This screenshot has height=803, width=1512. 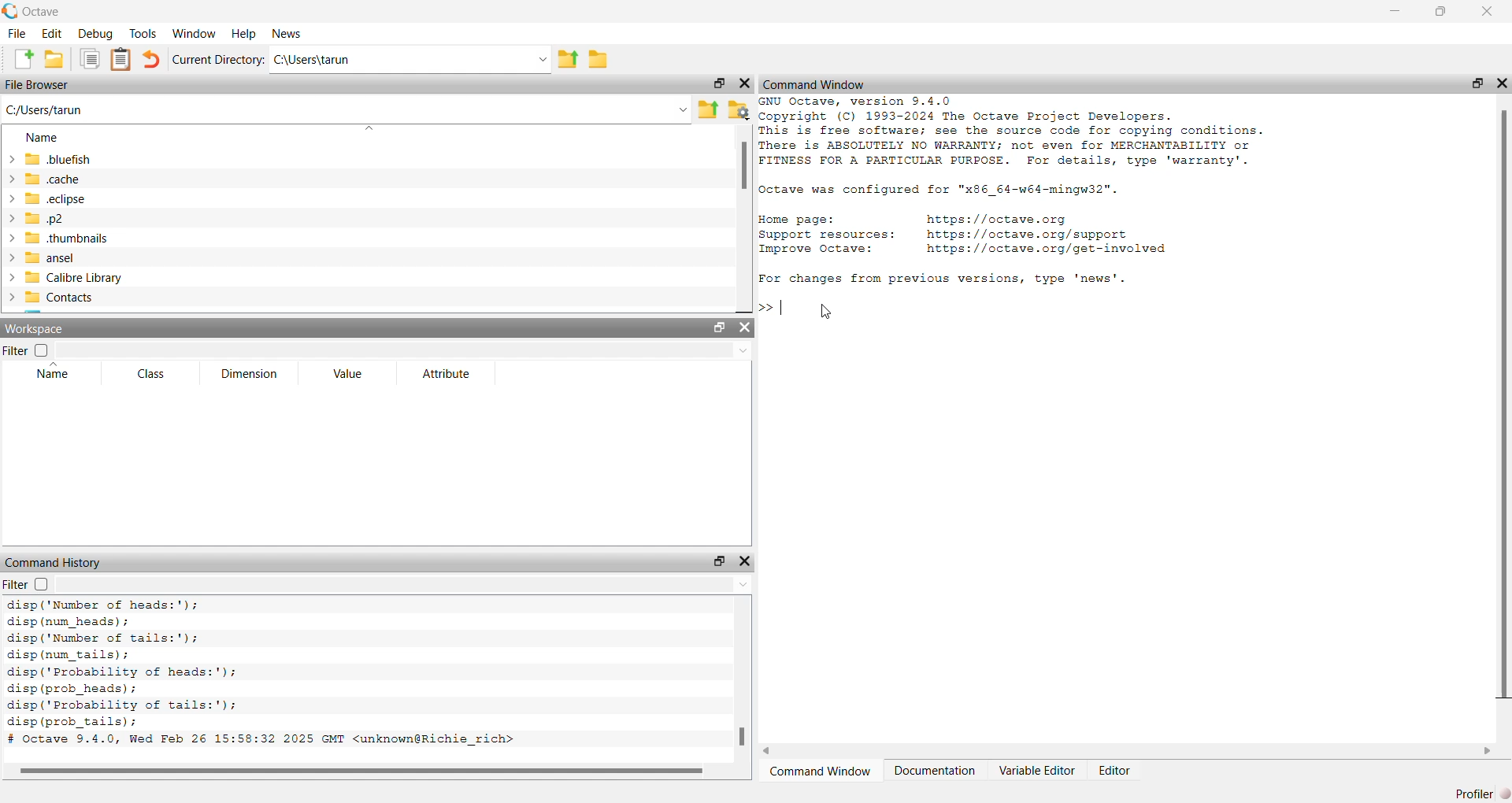 What do you see at coordinates (55, 198) in the screenshot?
I see `.eclipse` at bounding box center [55, 198].